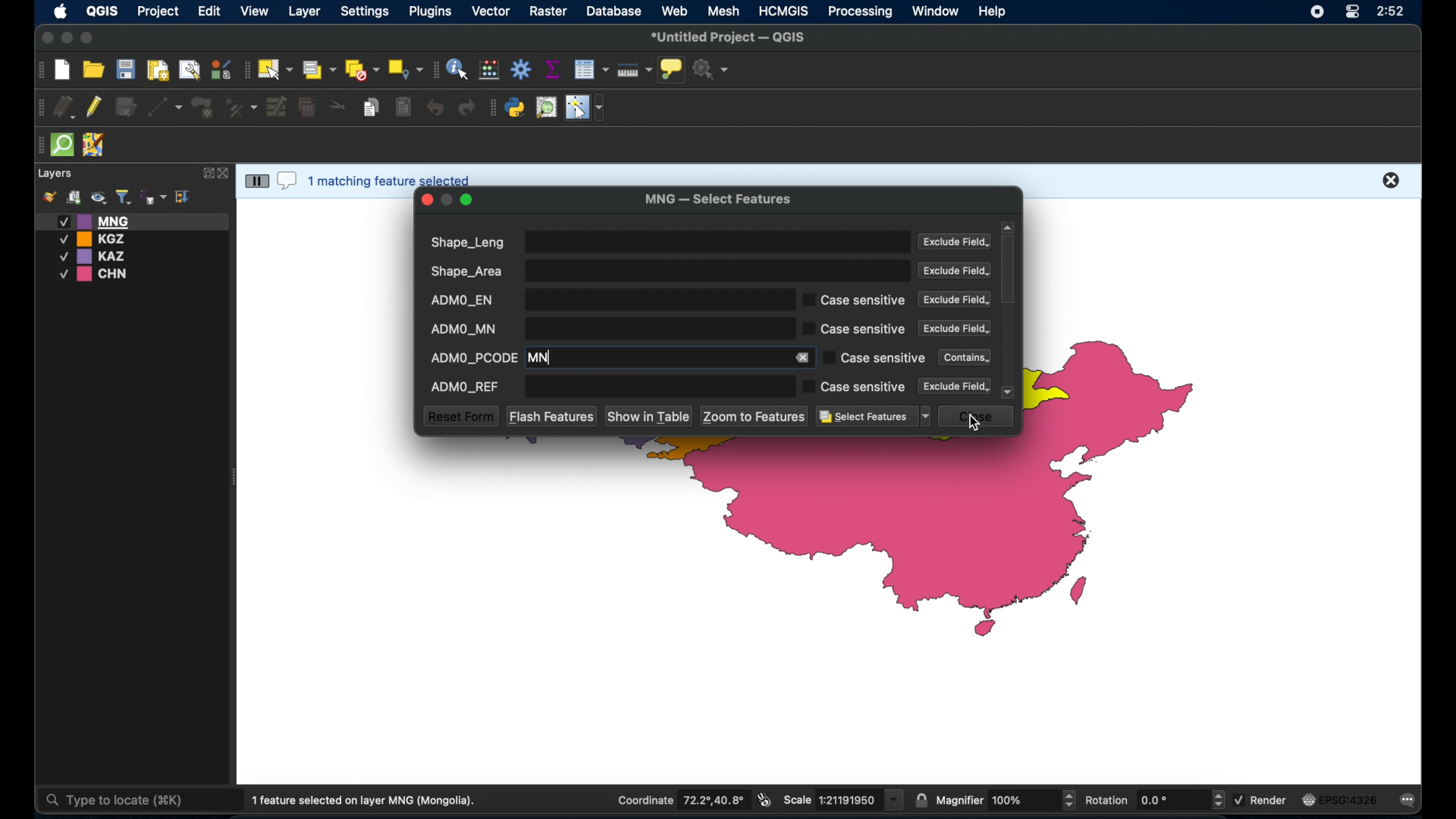 The width and height of the screenshot is (1456, 819). What do you see at coordinates (373, 107) in the screenshot?
I see `copy` at bounding box center [373, 107].